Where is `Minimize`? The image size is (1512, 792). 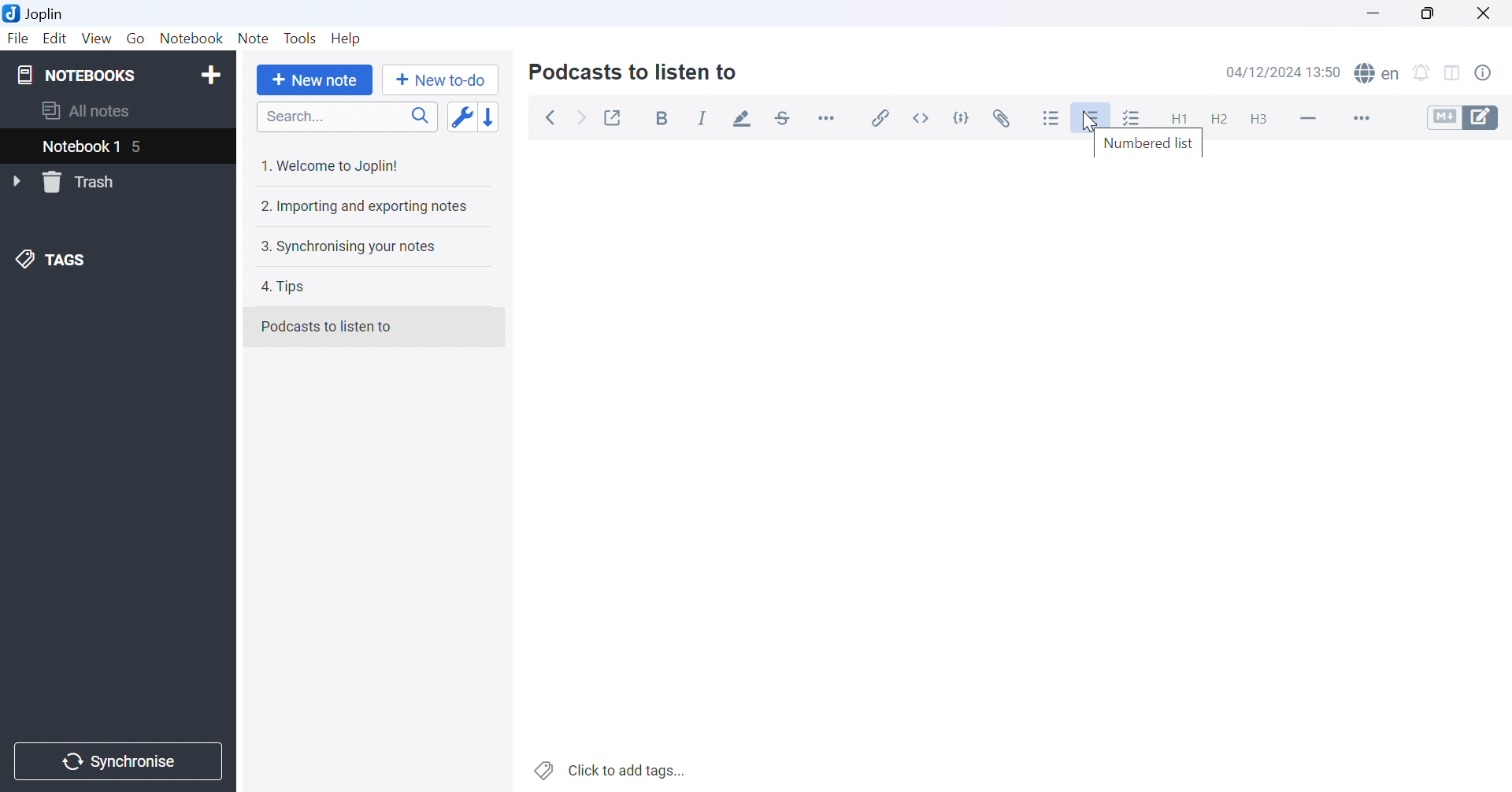 Minimize is located at coordinates (1372, 12).